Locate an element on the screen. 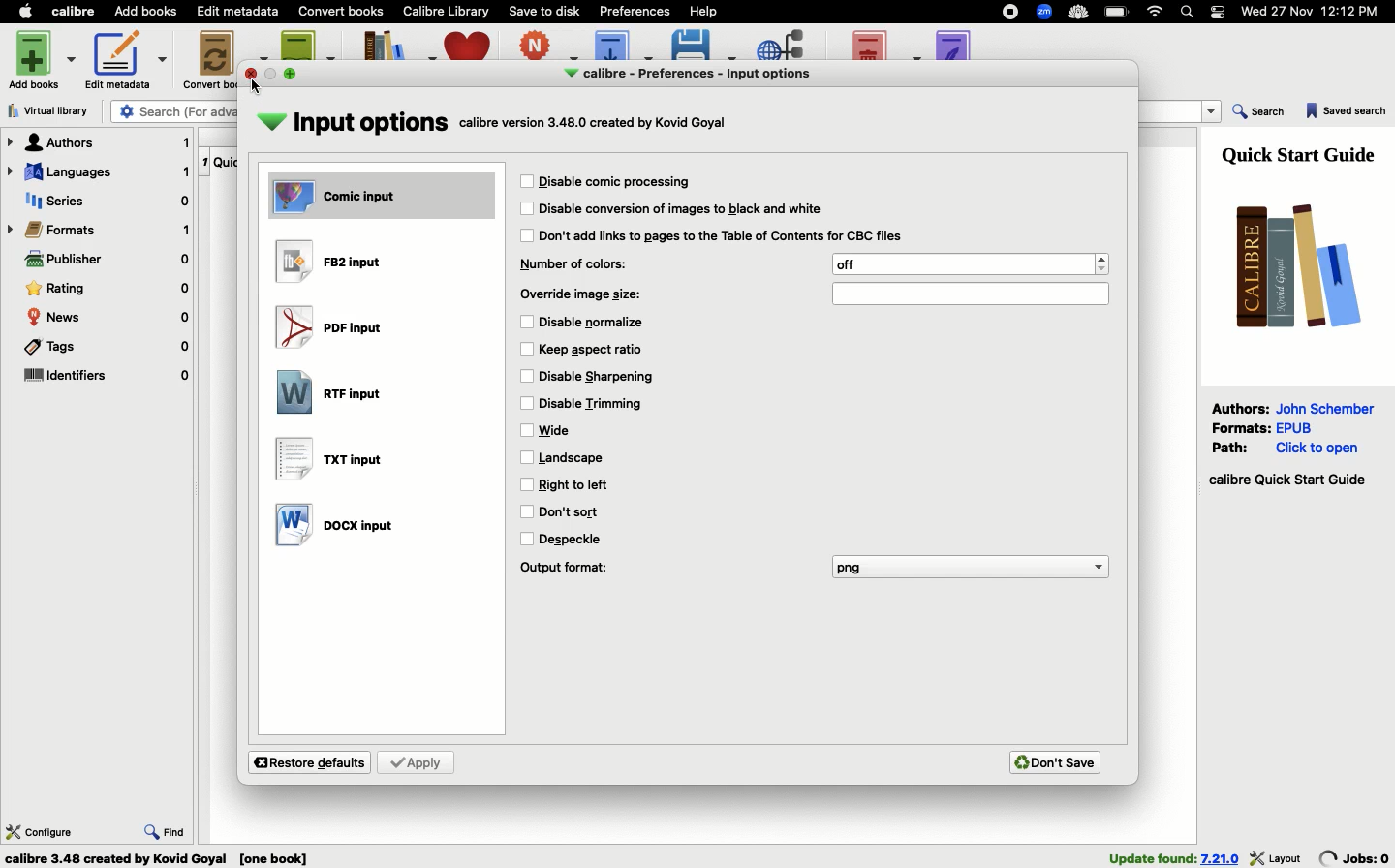 This screenshot has height=868, width=1395. Internet is located at coordinates (1156, 12).